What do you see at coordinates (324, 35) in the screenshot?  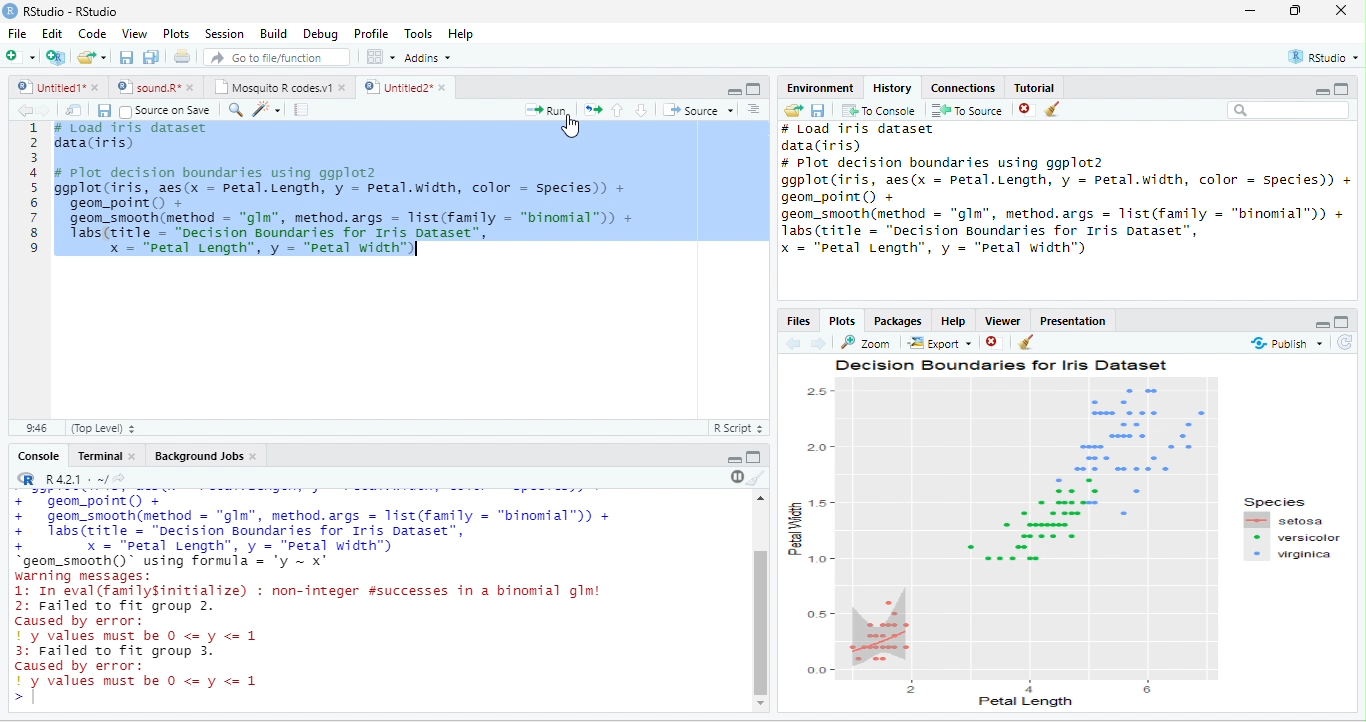 I see `Debug` at bounding box center [324, 35].